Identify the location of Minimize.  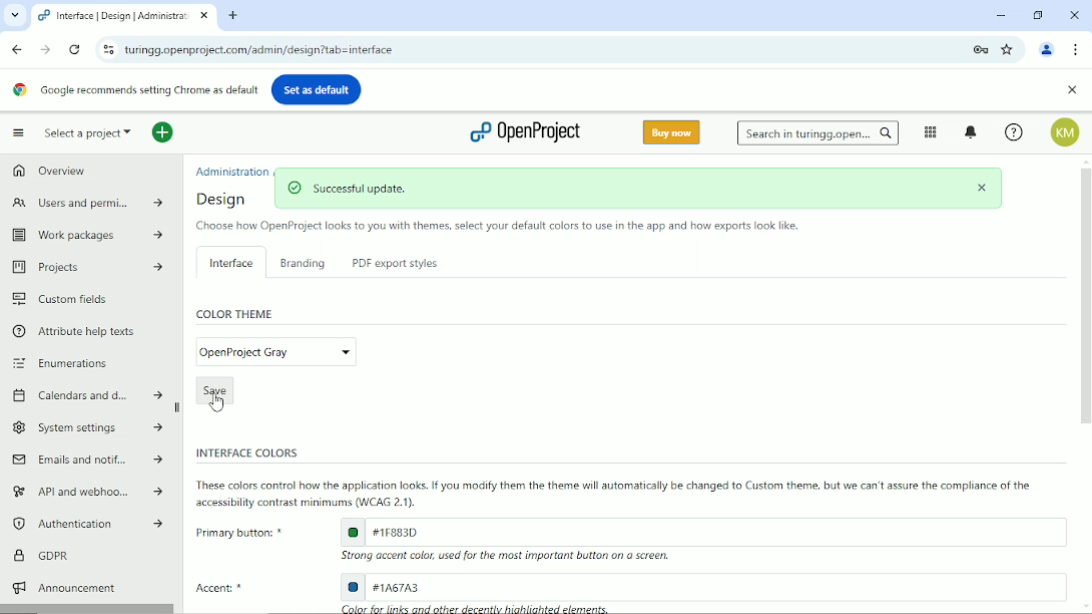
(1001, 15).